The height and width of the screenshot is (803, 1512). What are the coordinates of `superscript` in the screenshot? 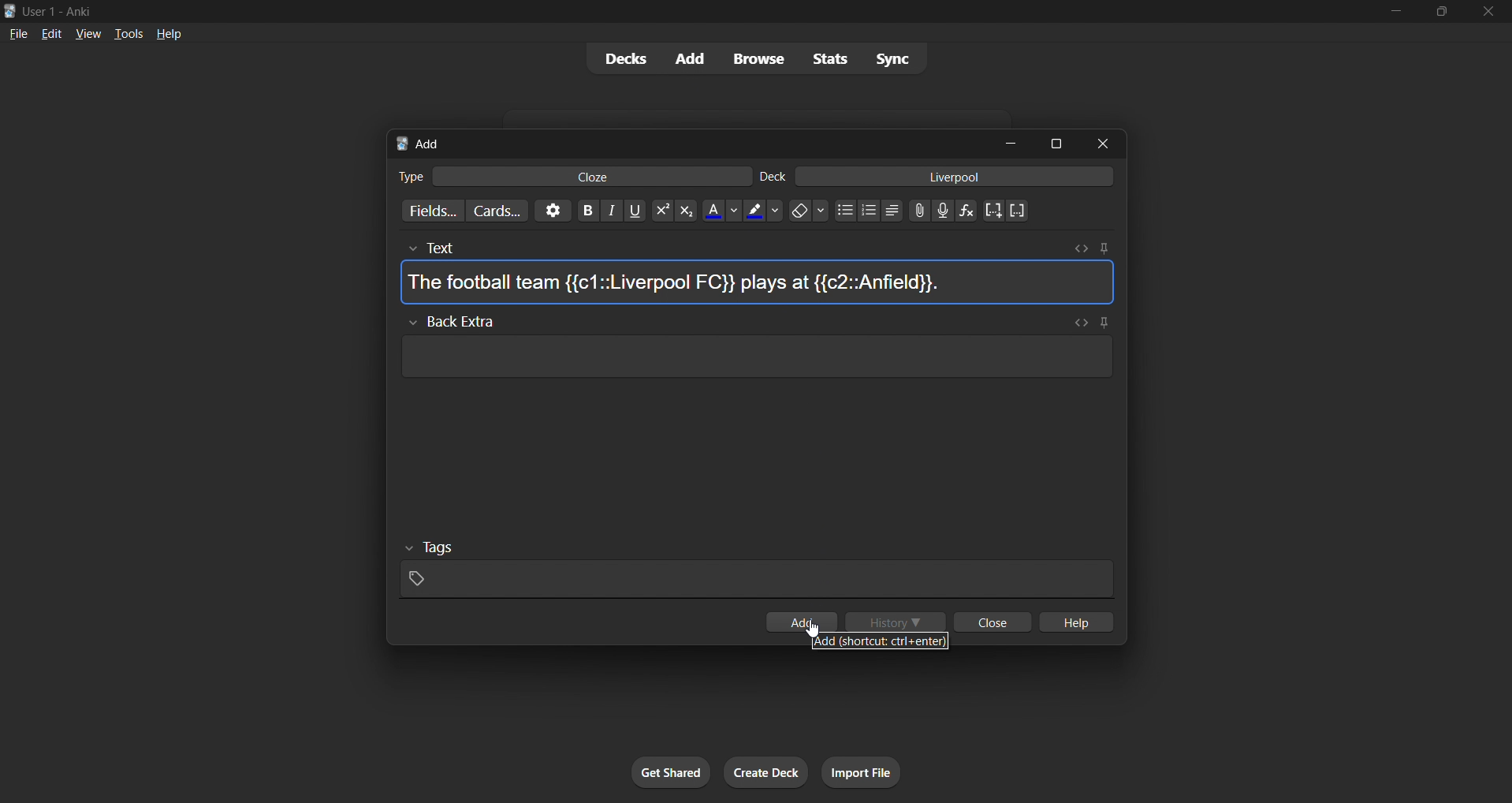 It's located at (659, 212).